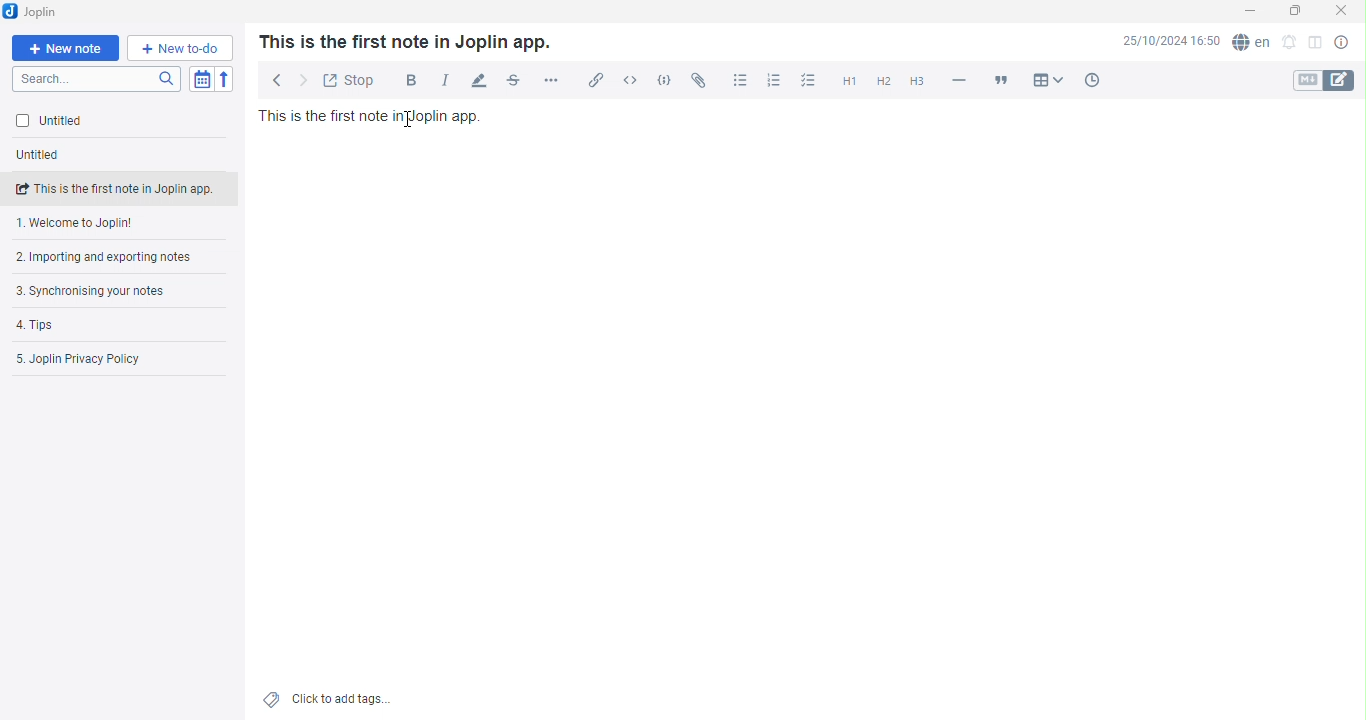 This screenshot has width=1366, height=720. Describe the element at coordinates (512, 83) in the screenshot. I see `Strikethrough` at that location.